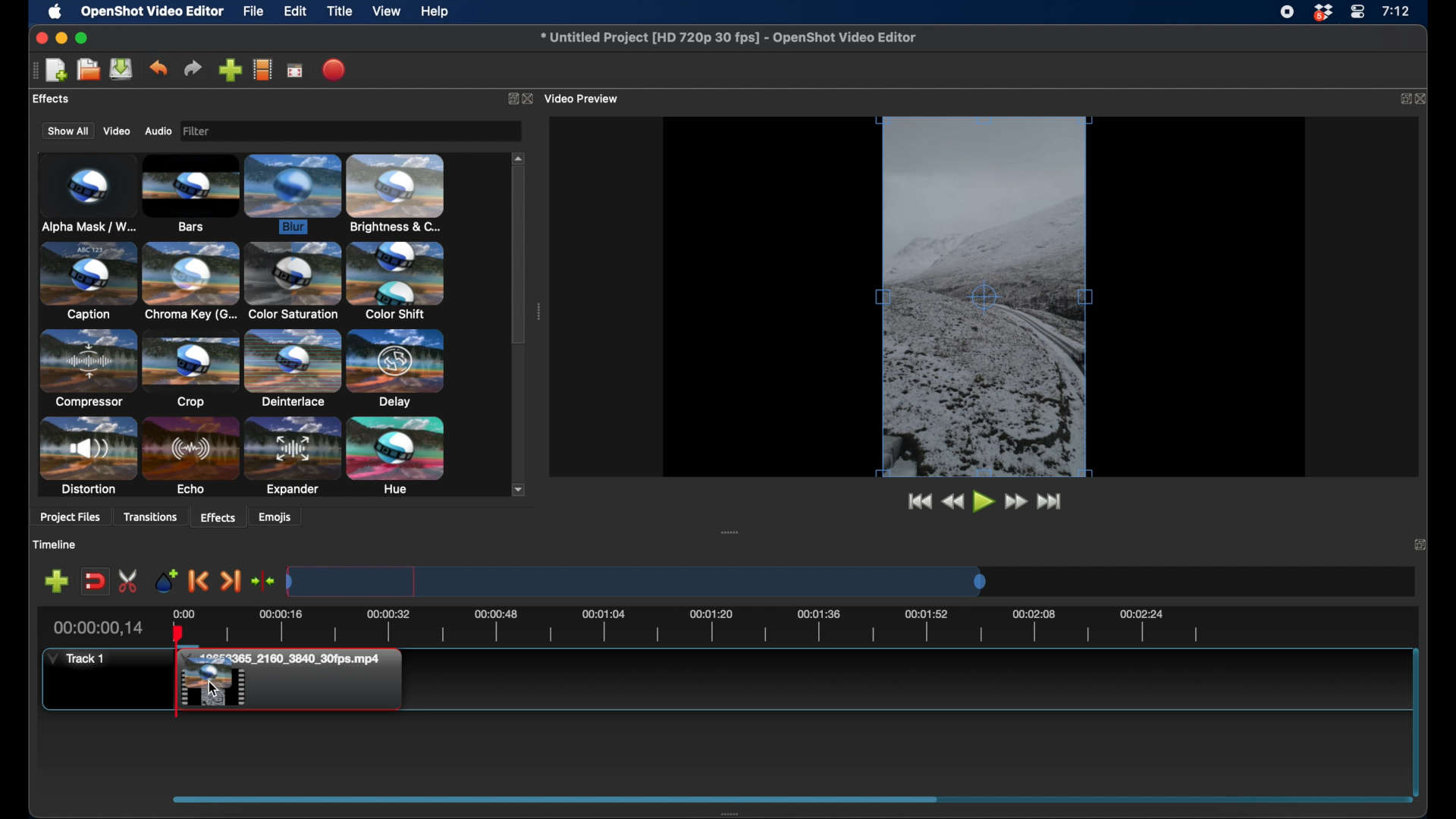 Image resolution: width=1456 pixels, height=819 pixels. I want to click on open project, so click(86, 70).